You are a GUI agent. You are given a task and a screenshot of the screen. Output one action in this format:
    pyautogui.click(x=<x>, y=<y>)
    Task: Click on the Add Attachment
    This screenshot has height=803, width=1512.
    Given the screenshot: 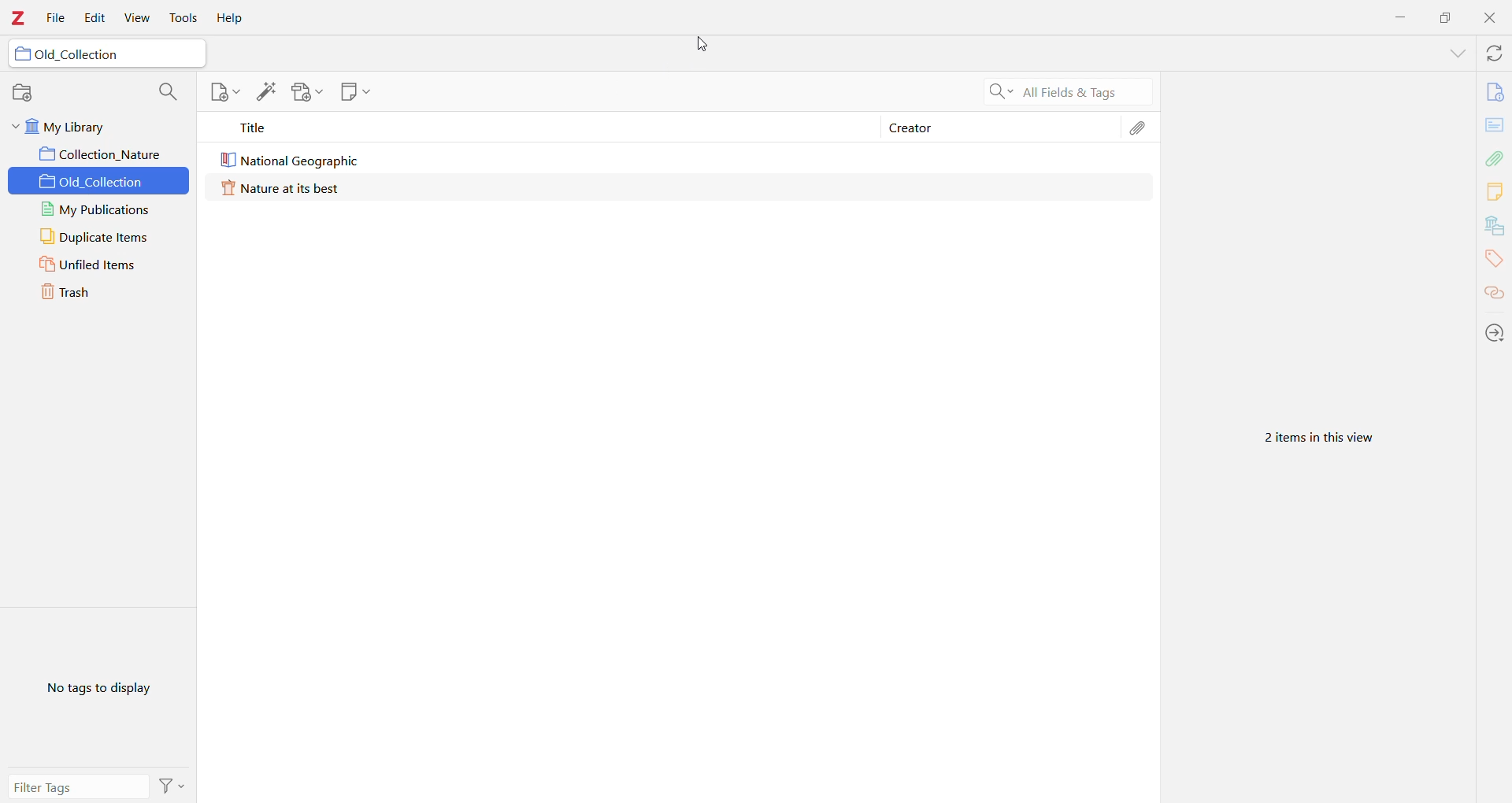 What is the action you would take?
    pyautogui.click(x=308, y=94)
    